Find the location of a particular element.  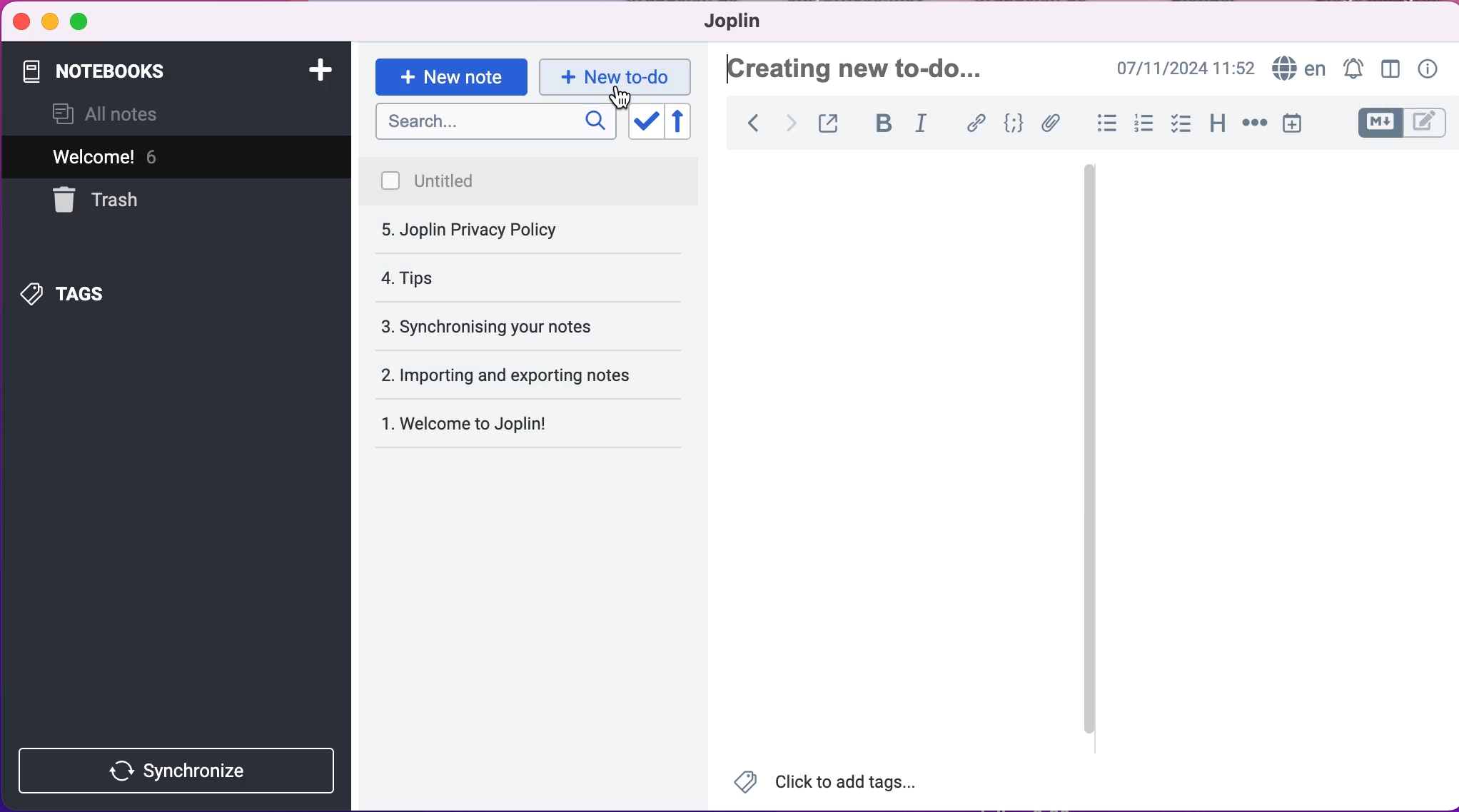

attach file is located at coordinates (1049, 123).